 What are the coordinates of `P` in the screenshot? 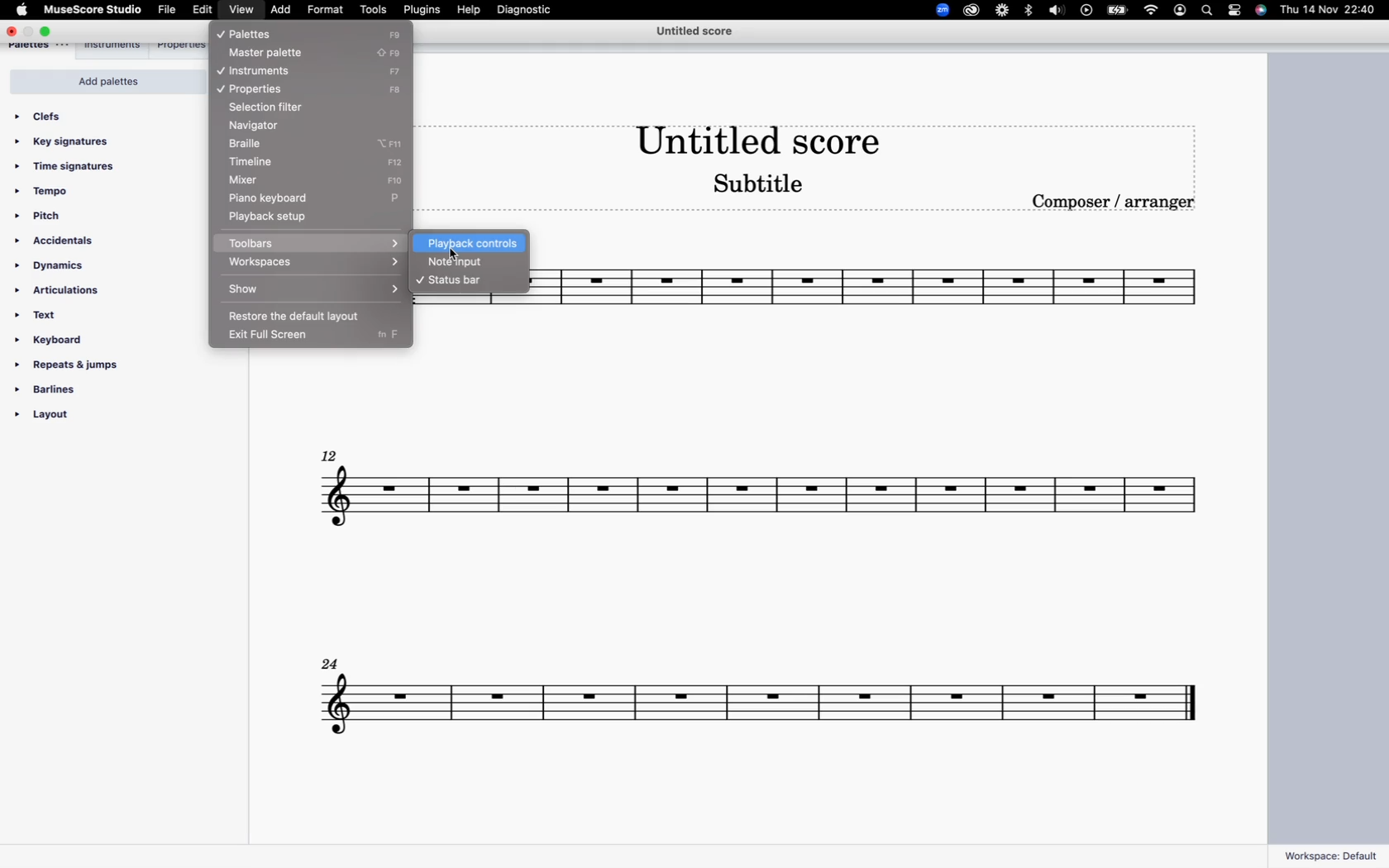 It's located at (399, 198).